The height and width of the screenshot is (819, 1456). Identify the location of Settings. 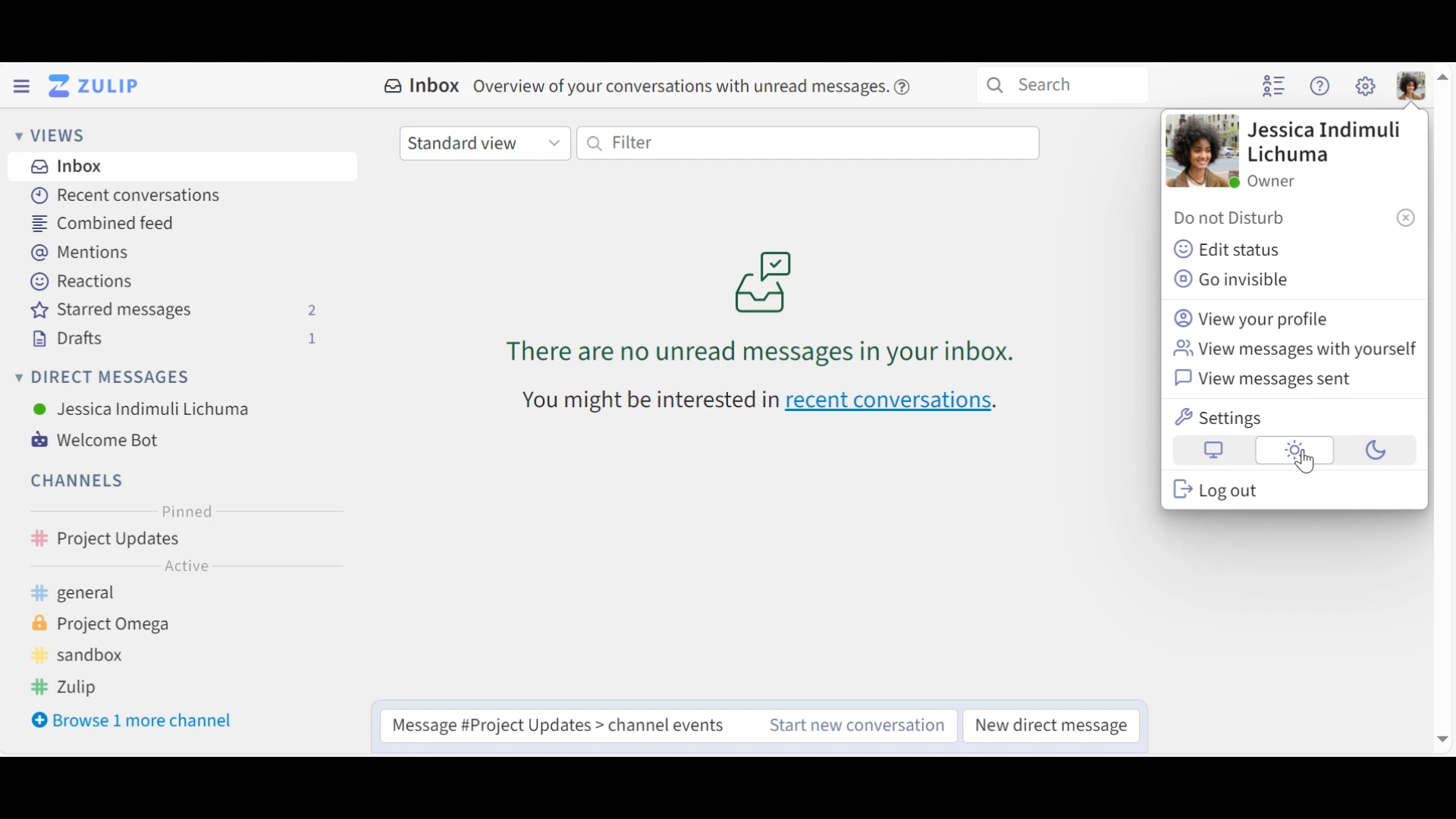
(1222, 418).